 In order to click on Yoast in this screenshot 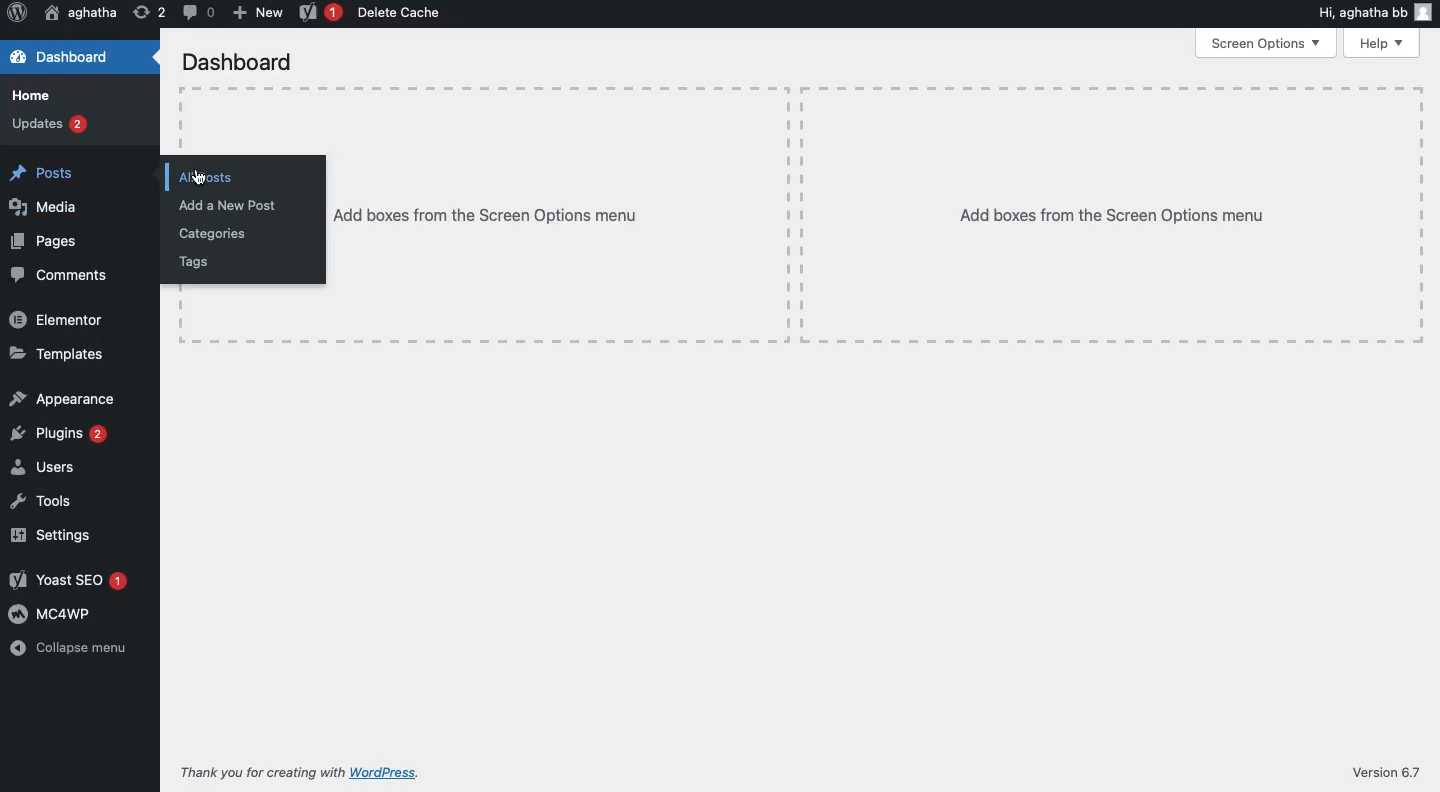, I will do `click(318, 12)`.